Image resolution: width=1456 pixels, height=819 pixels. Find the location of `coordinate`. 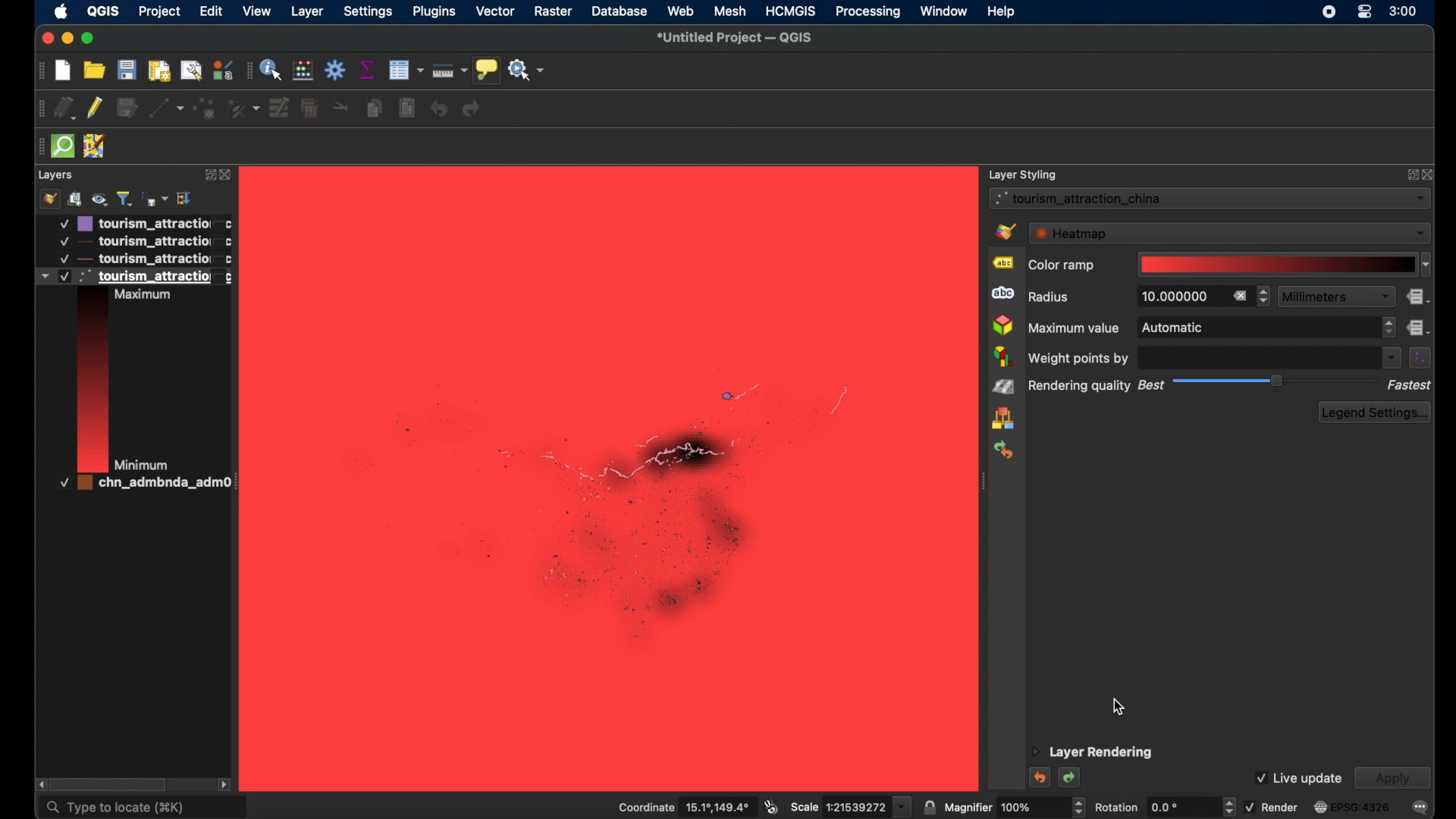

coordinate is located at coordinates (679, 806).